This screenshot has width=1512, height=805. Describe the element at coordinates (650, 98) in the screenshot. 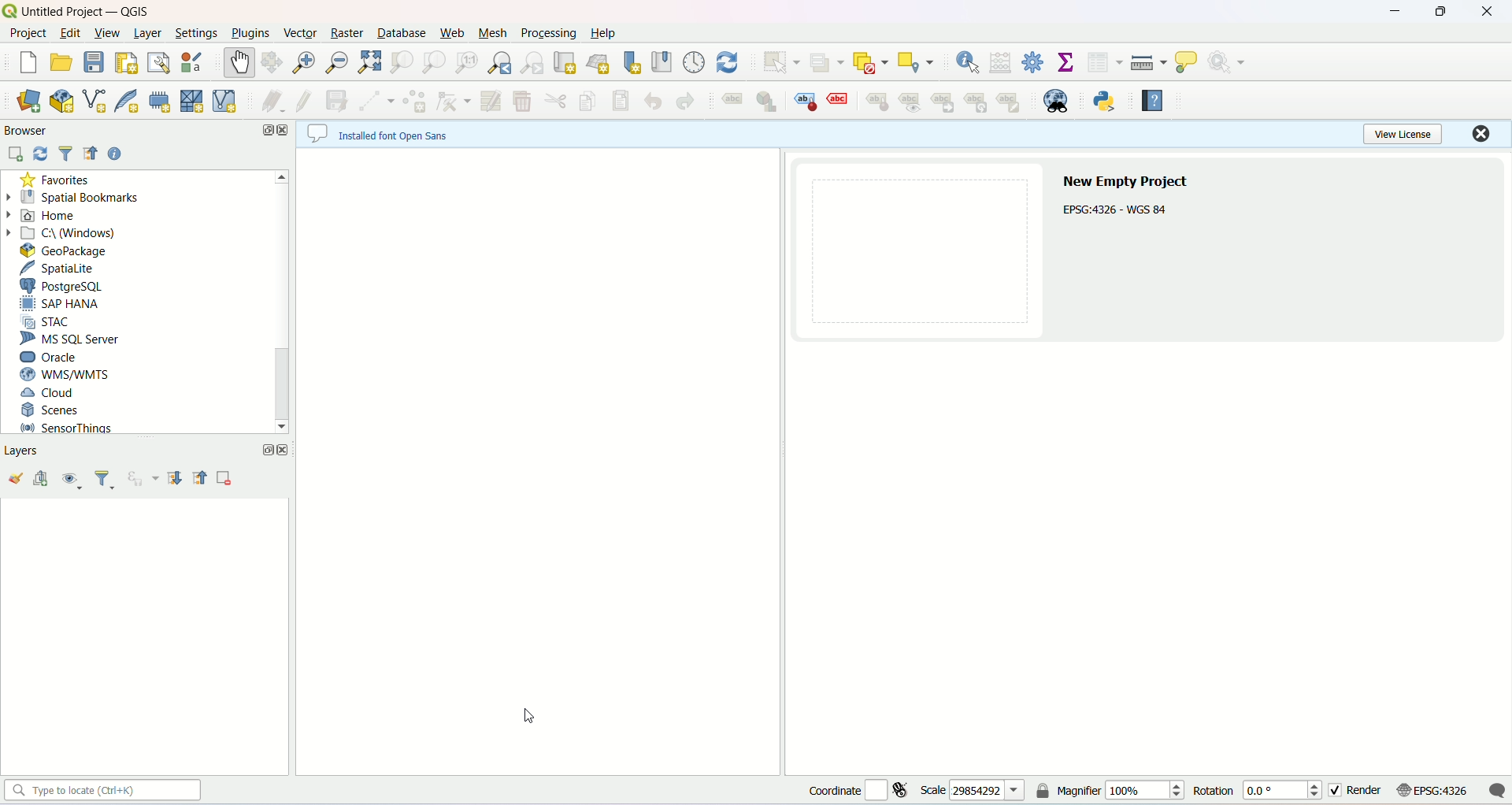

I see `undo` at that location.